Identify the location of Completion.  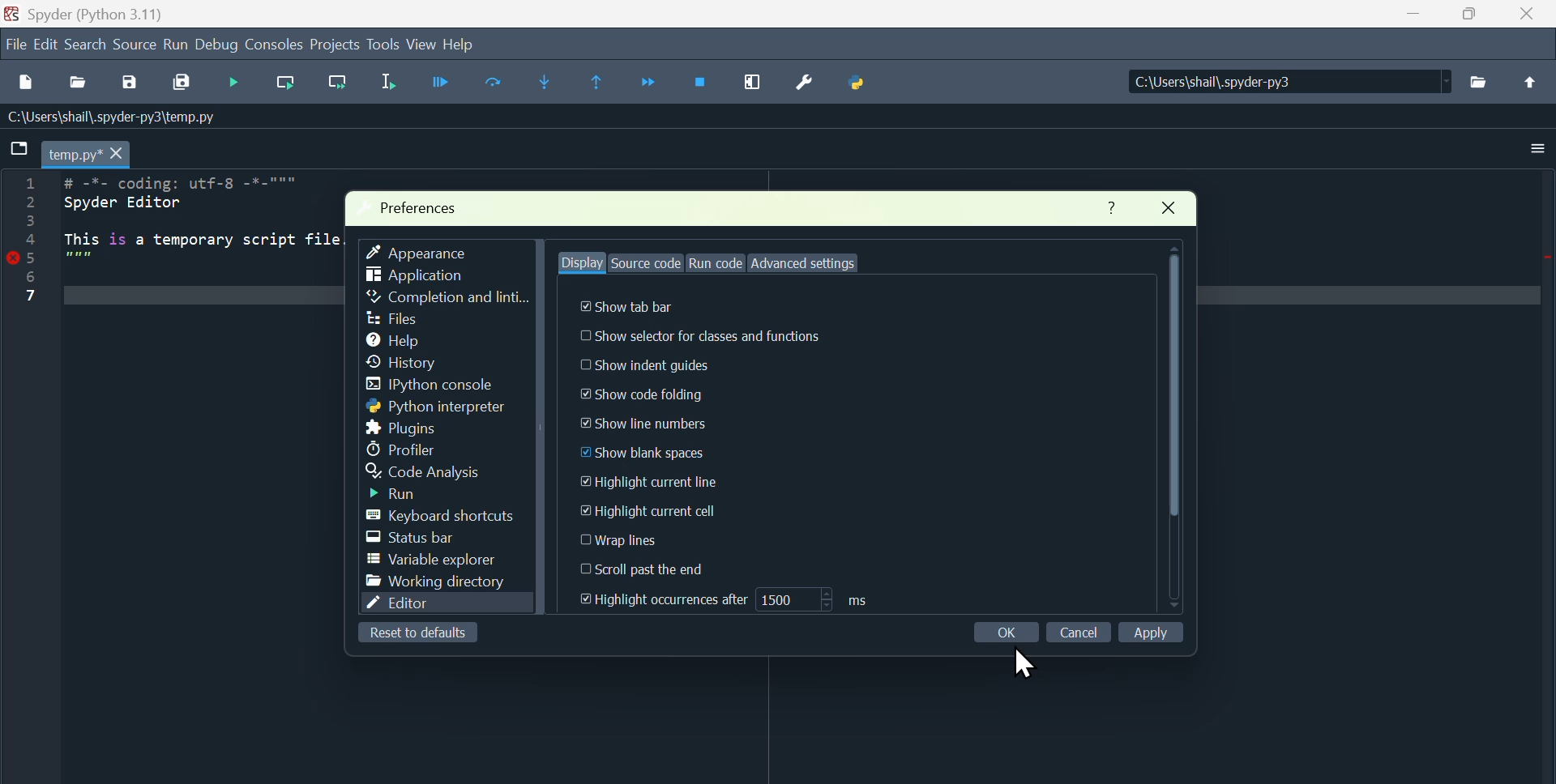
(455, 294).